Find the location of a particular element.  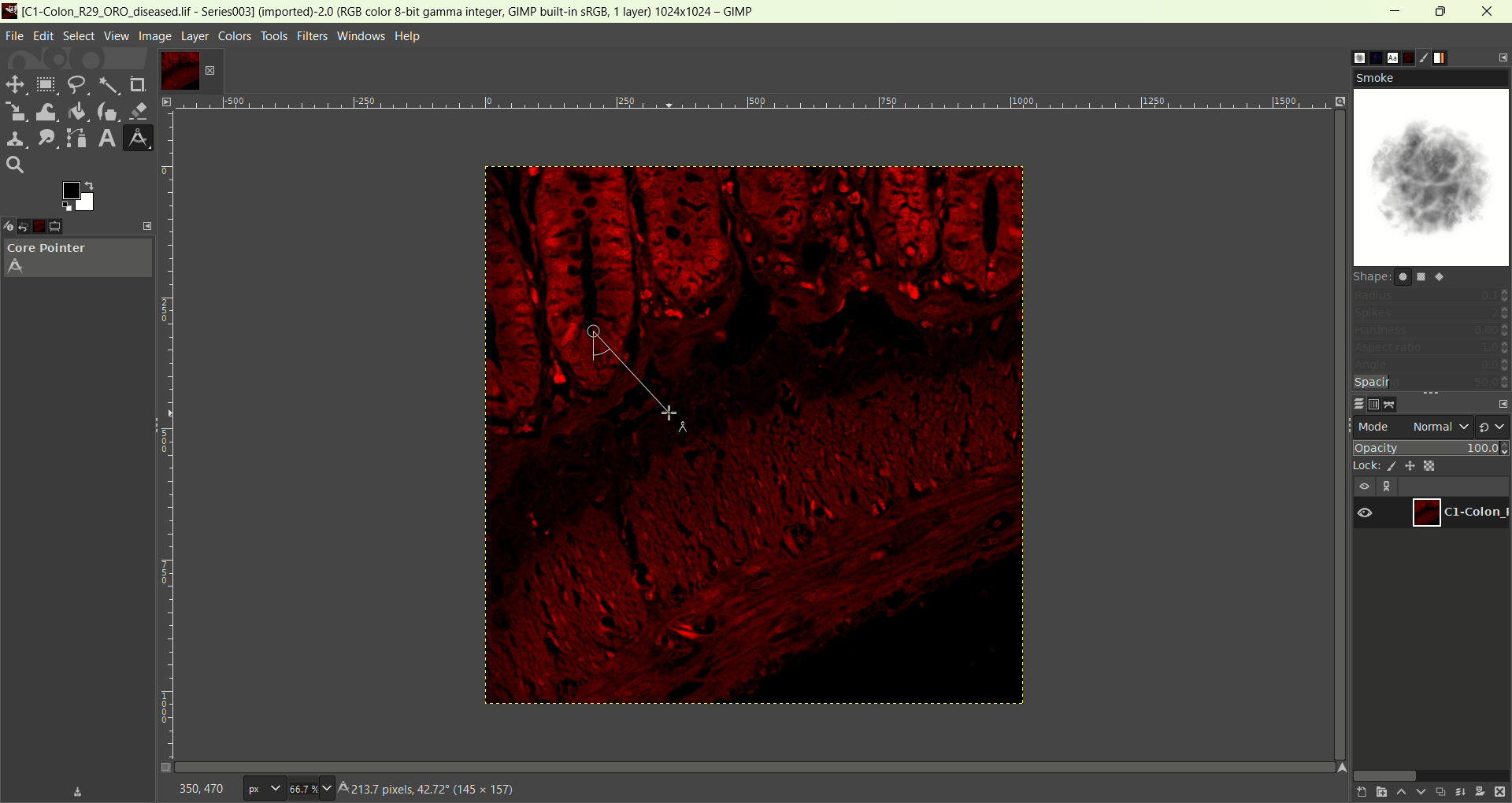

coordinate is located at coordinates (199, 787).